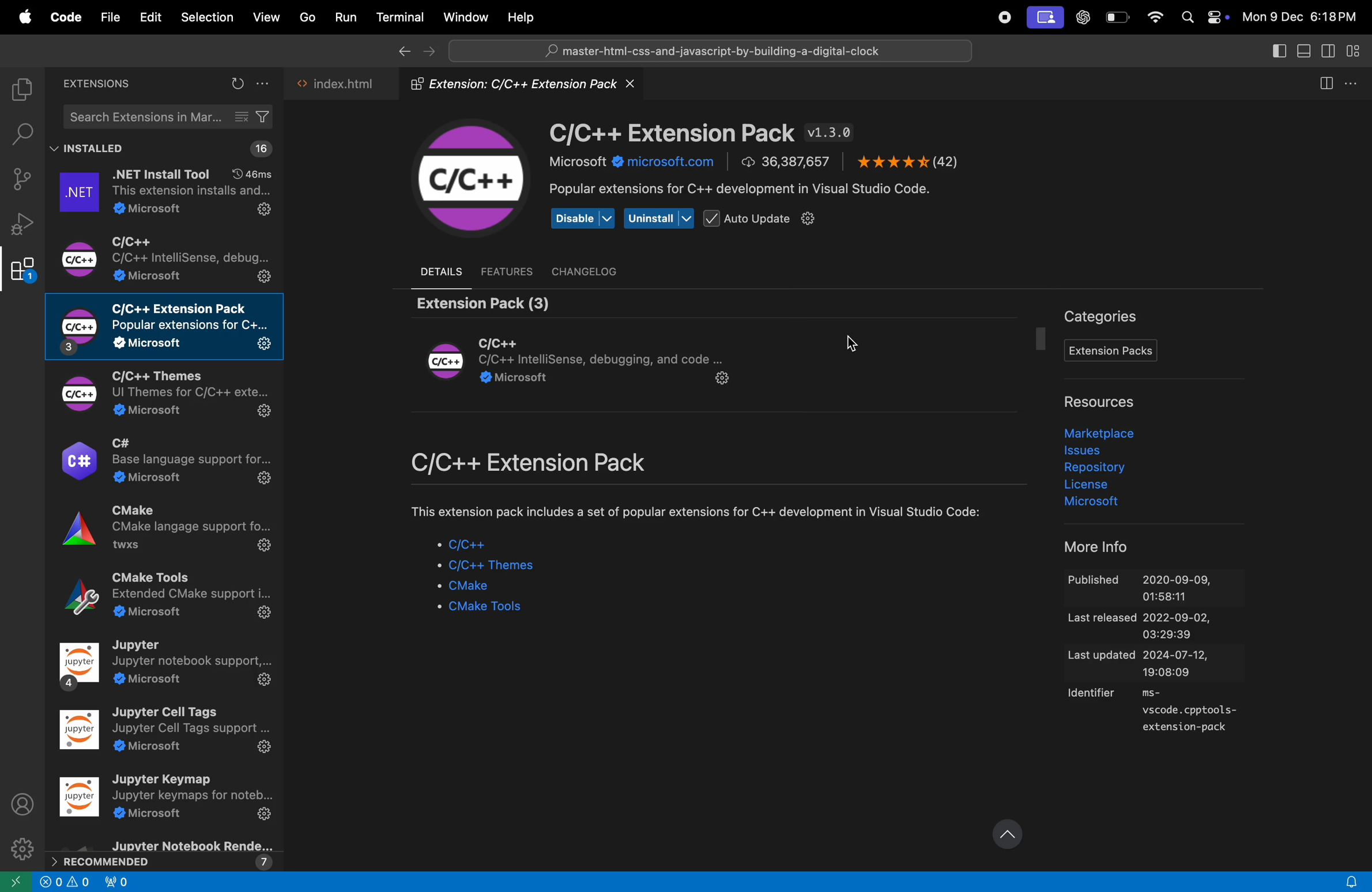  Describe the element at coordinates (66, 884) in the screenshot. I see `info` at that location.